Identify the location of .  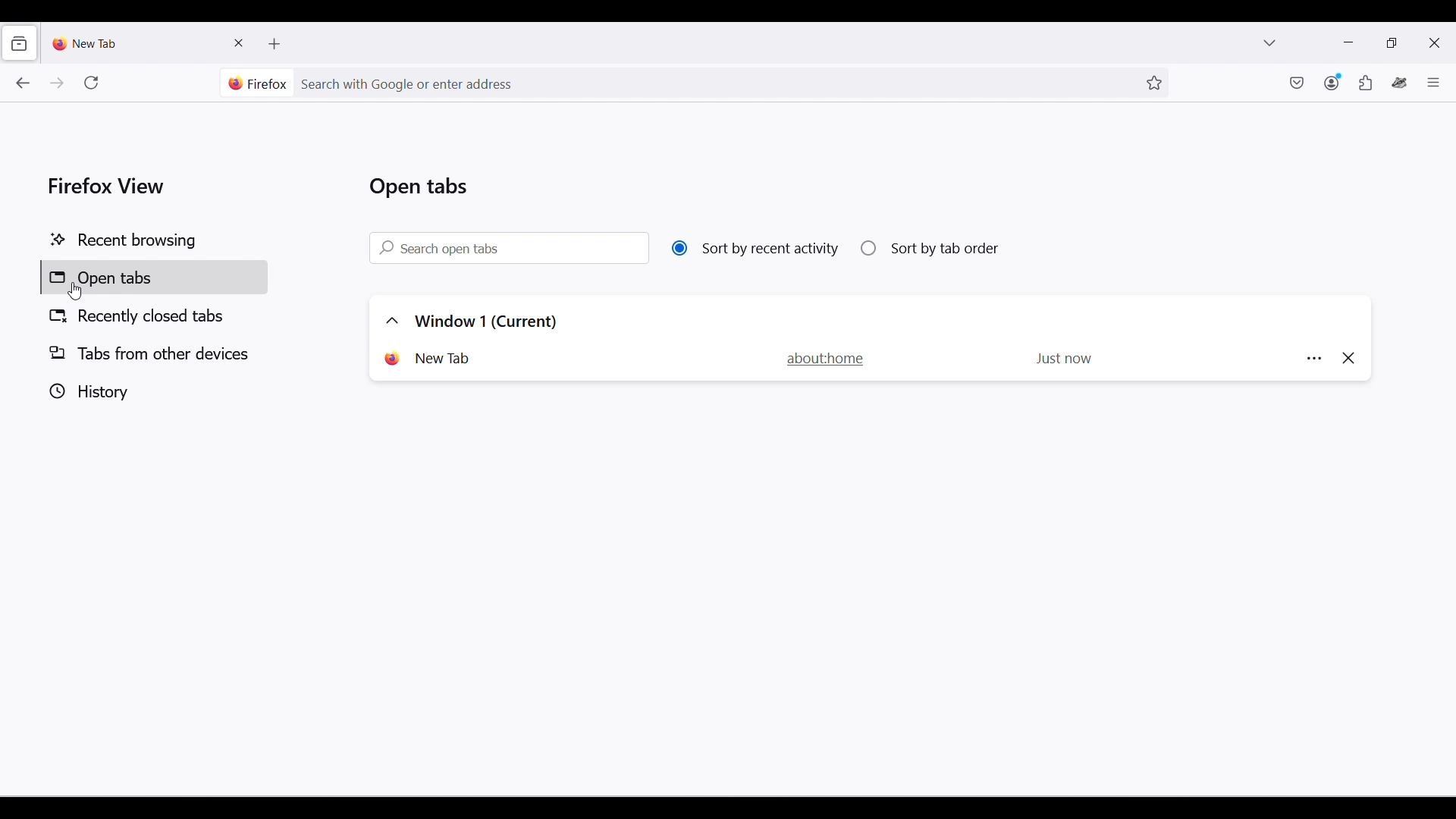
(1310, 359).